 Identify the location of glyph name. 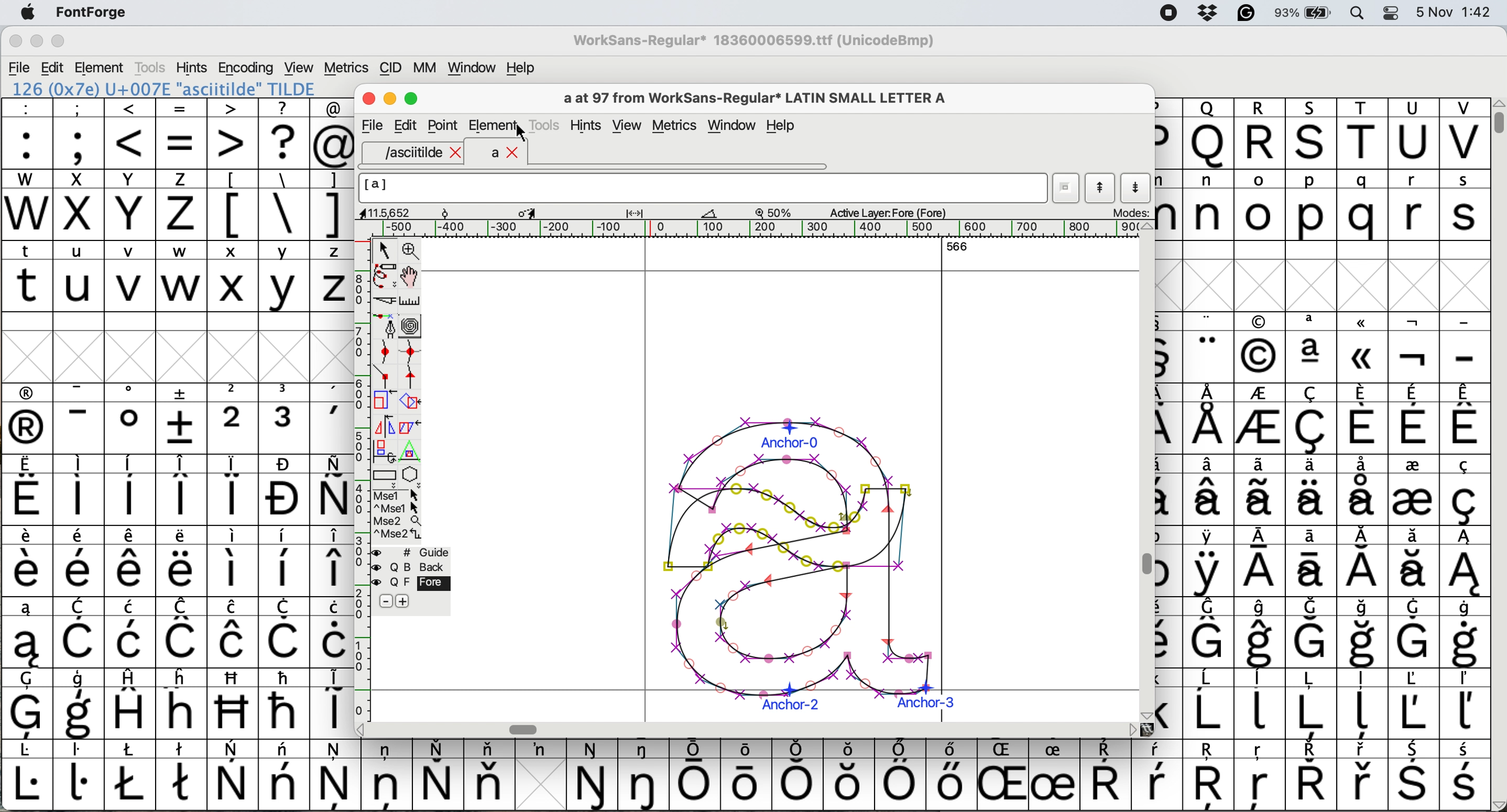
(753, 97).